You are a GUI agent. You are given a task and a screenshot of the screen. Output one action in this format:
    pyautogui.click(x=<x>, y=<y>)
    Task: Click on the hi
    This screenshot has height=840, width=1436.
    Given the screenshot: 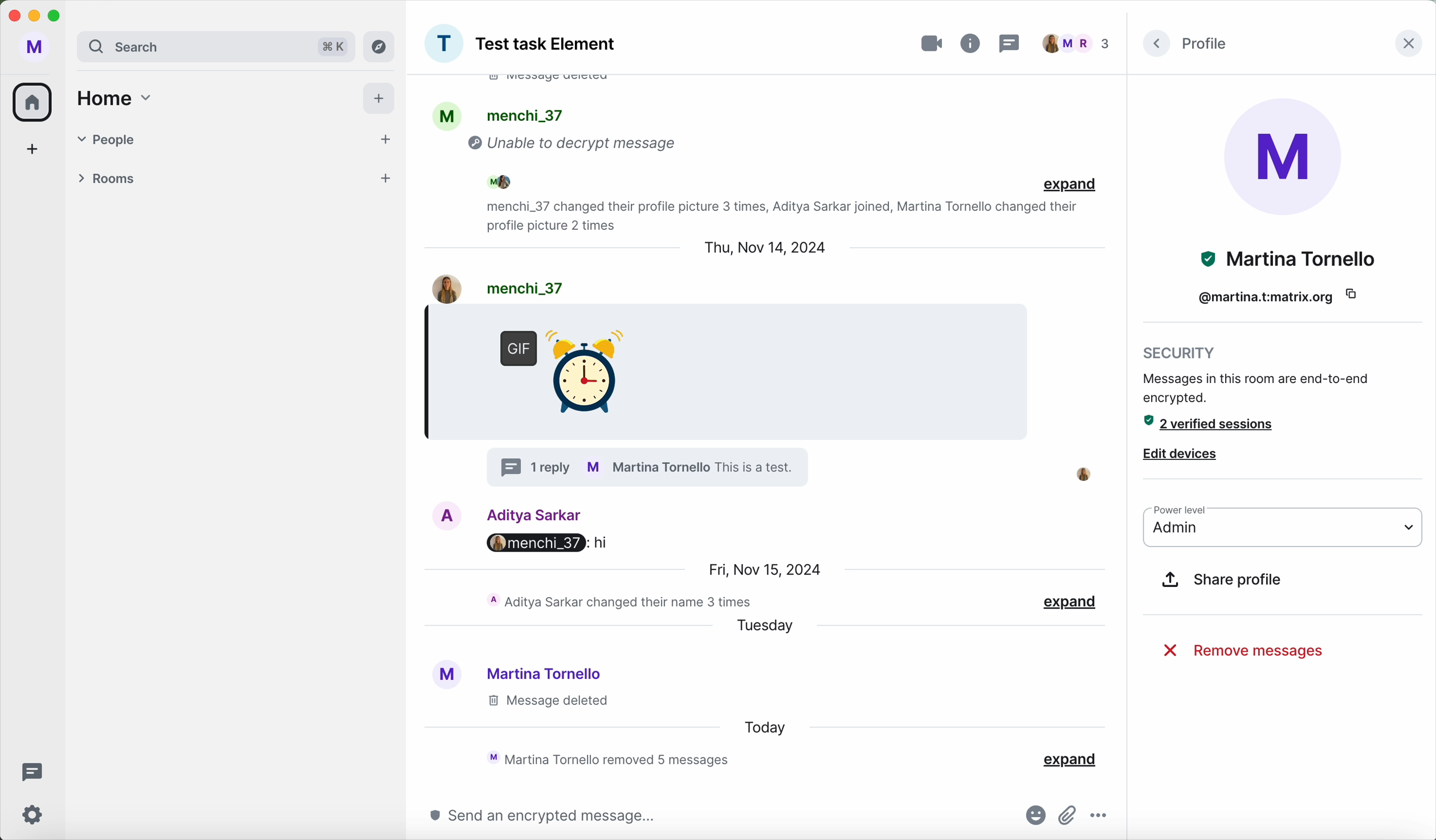 What is the action you would take?
    pyautogui.click(x=603, y=542)
    